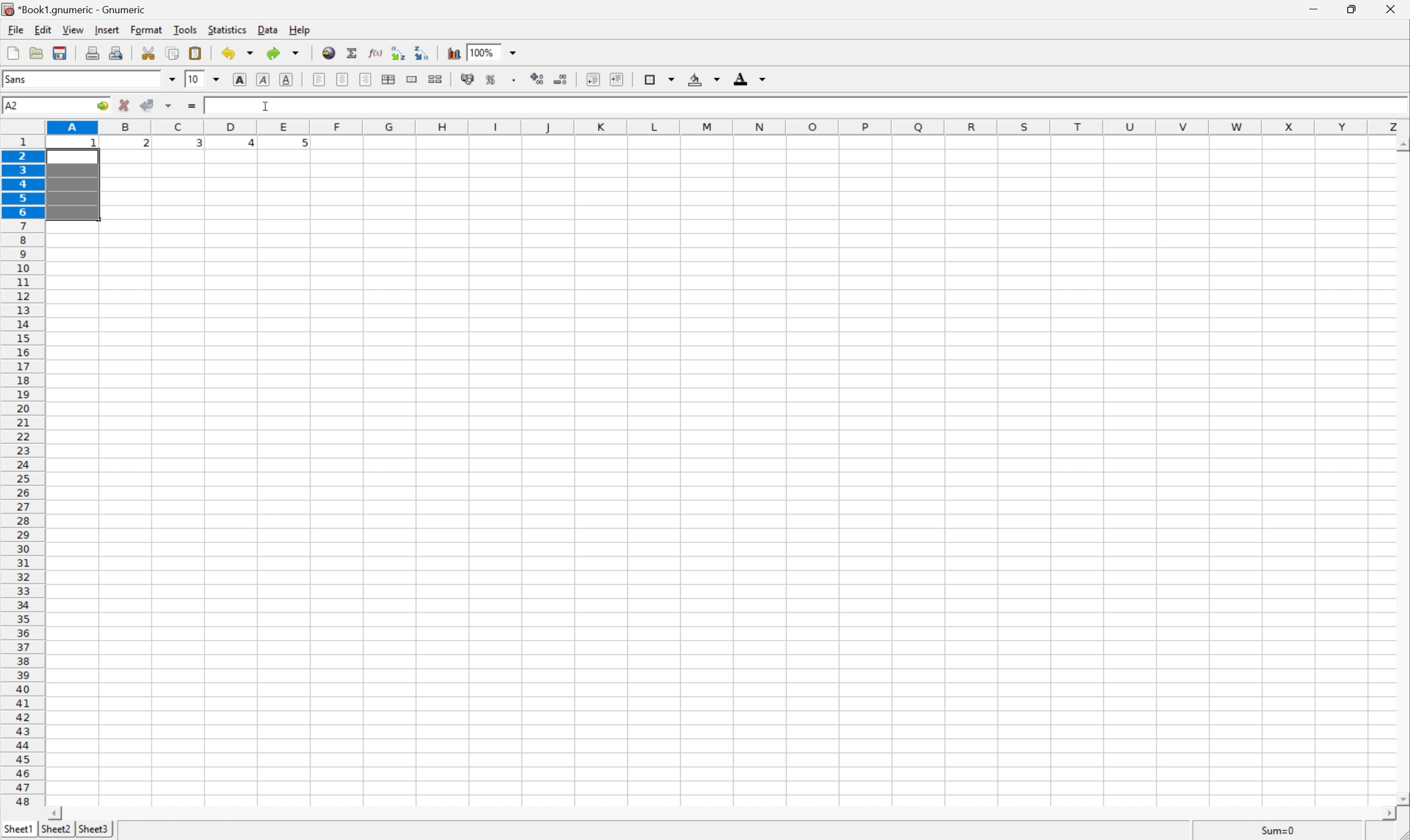  Describe the element at coordinates (60, 53) in the screenshot. I see `save current workbook` at that location.